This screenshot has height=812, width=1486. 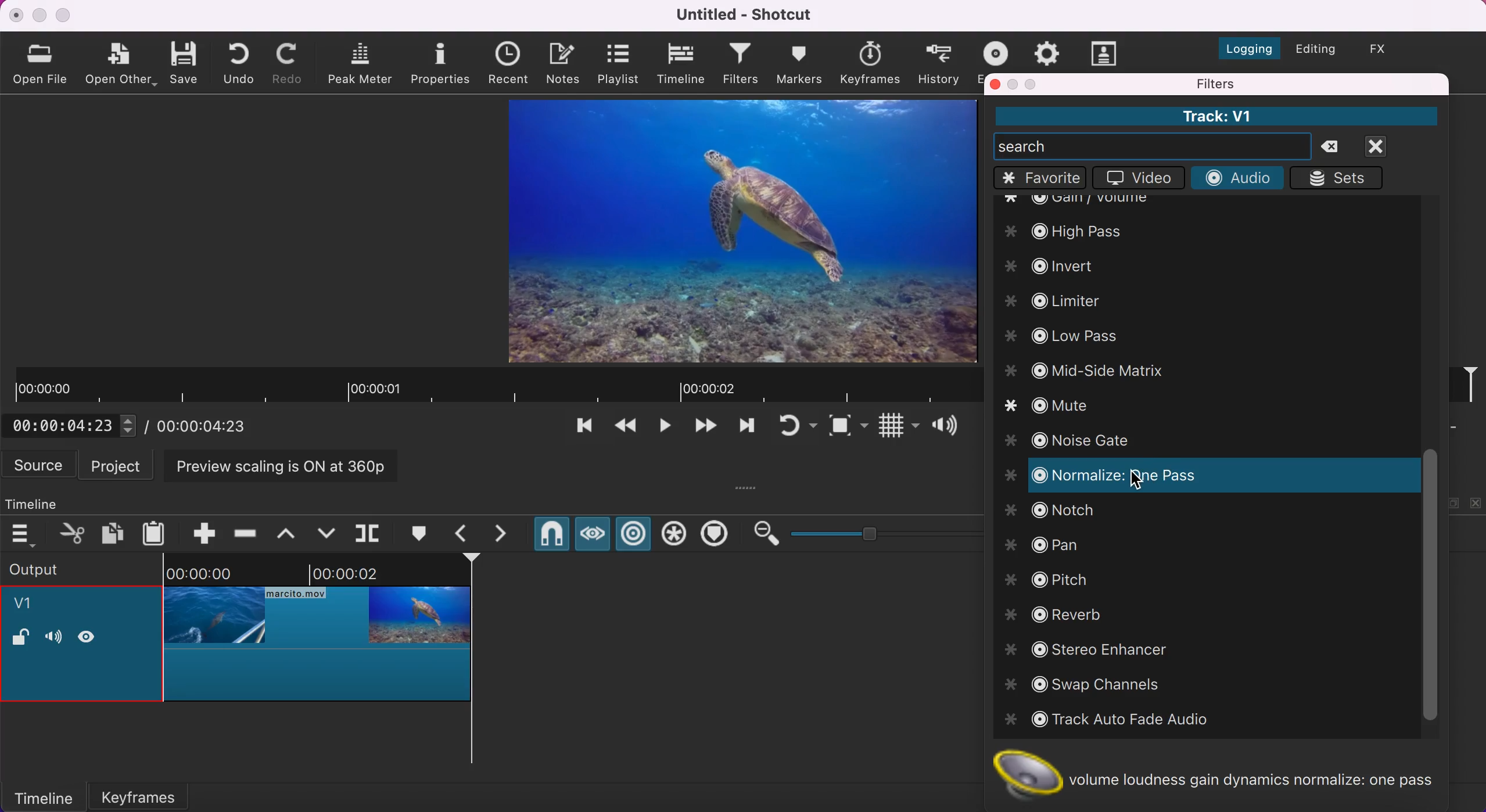 What do you see at coordinates (591, 537) in the screenshot?
I see `scrub while draggins` at bounding box center [591, 537].